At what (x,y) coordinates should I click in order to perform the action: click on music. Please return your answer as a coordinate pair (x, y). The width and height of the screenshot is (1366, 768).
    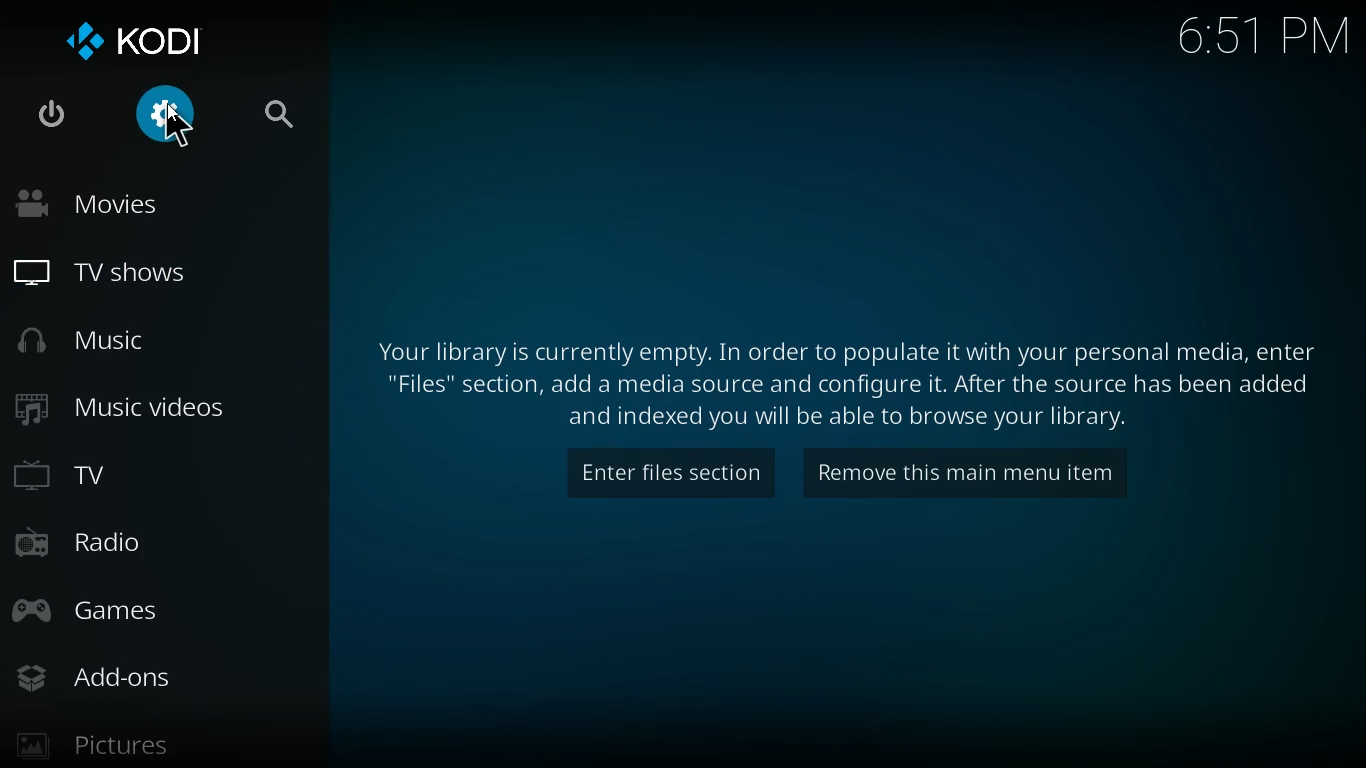
    Looking at the image, I should click on (140, 339).